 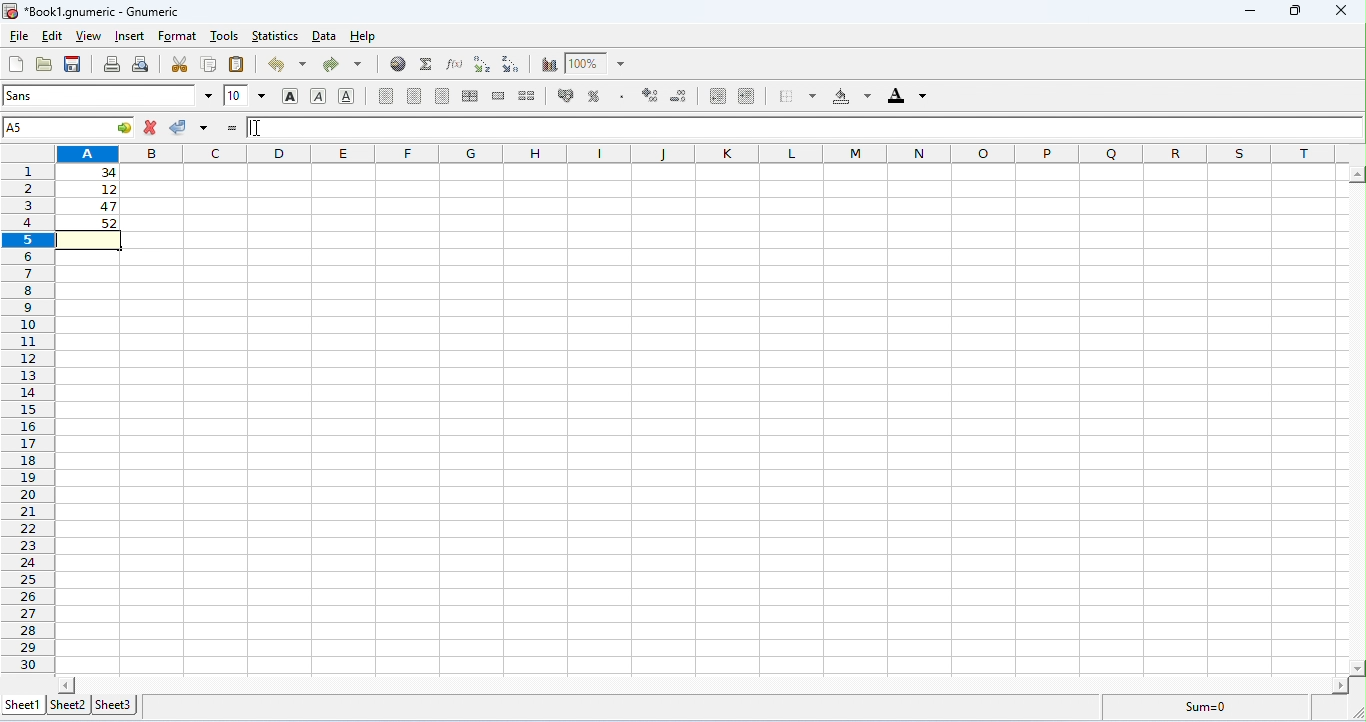 What do you see at coordinates (1206, 706) in the screenshot?
I see `formula` at bounding box center [1206, 706].